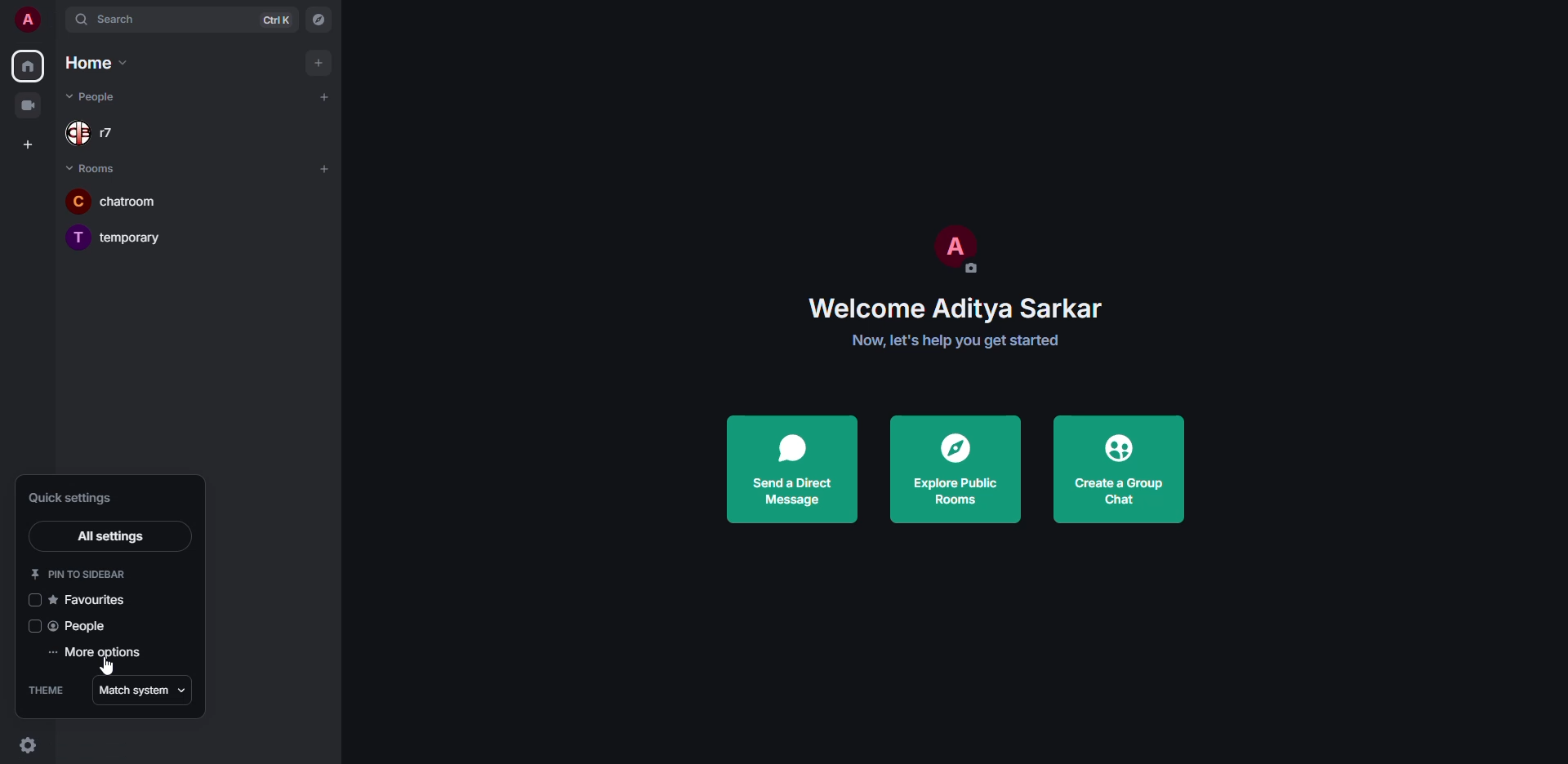 This screenshot has height=764, width=1568. What do you see at coordinates (958, 466) in the screenshot?
I see `explore public rooms` at bounding box center [958, 466].